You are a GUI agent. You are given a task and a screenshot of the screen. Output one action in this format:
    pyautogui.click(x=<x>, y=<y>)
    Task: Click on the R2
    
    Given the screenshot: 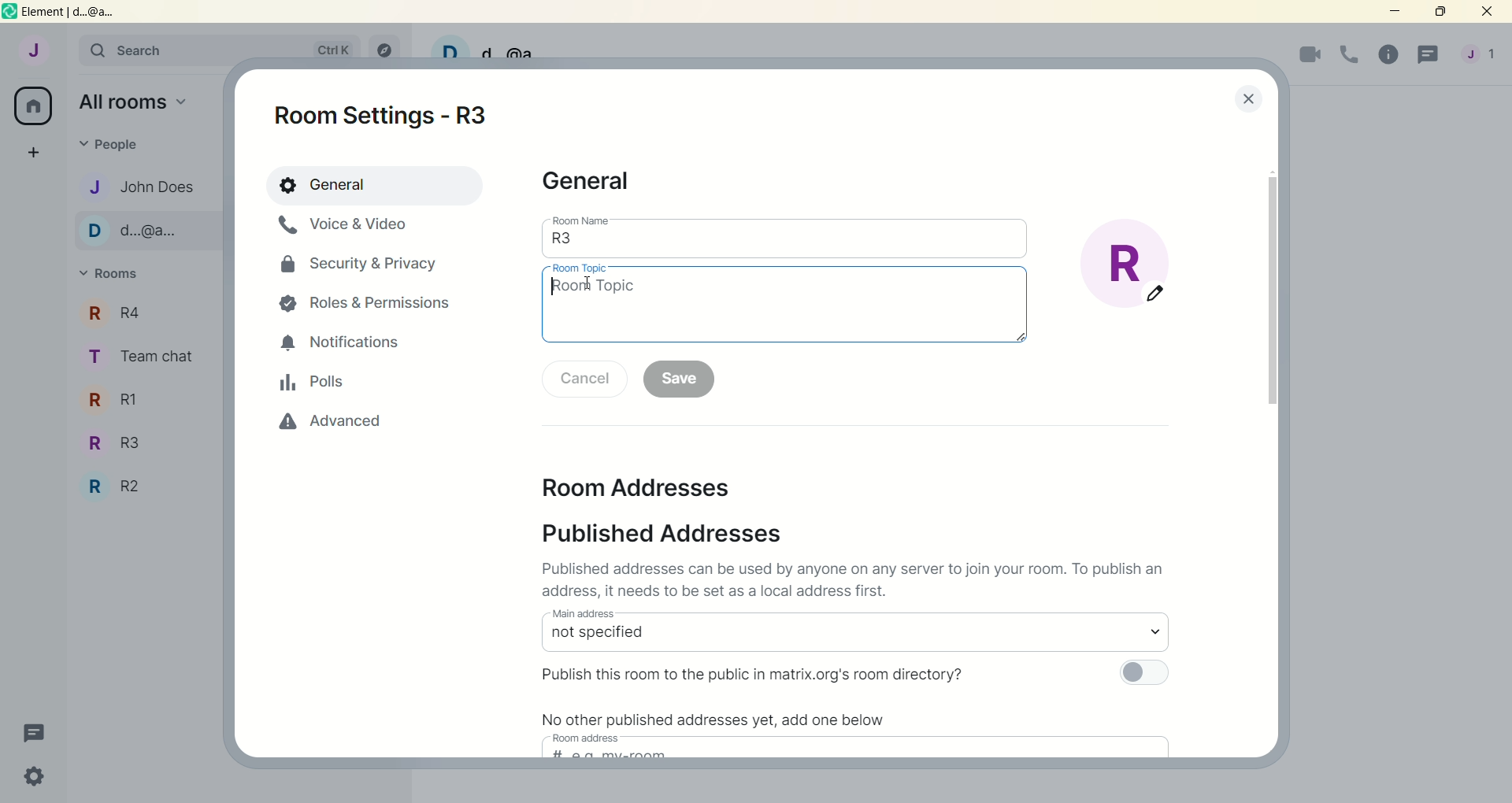 What is the action you would take?
    pyautogui.click(x=144, y=483)
    